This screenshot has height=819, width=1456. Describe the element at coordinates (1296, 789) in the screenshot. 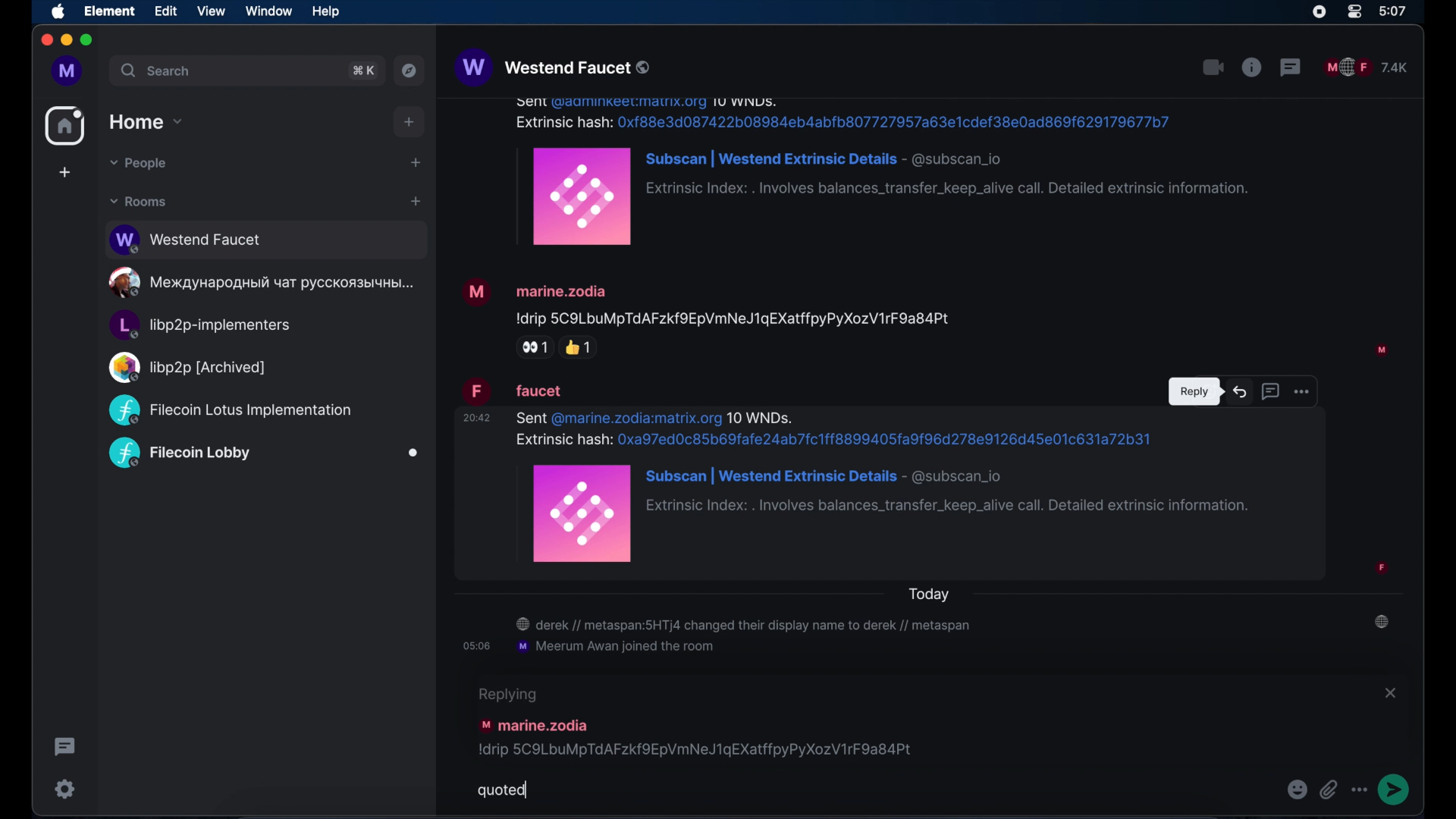

I see `emoji` at that location.